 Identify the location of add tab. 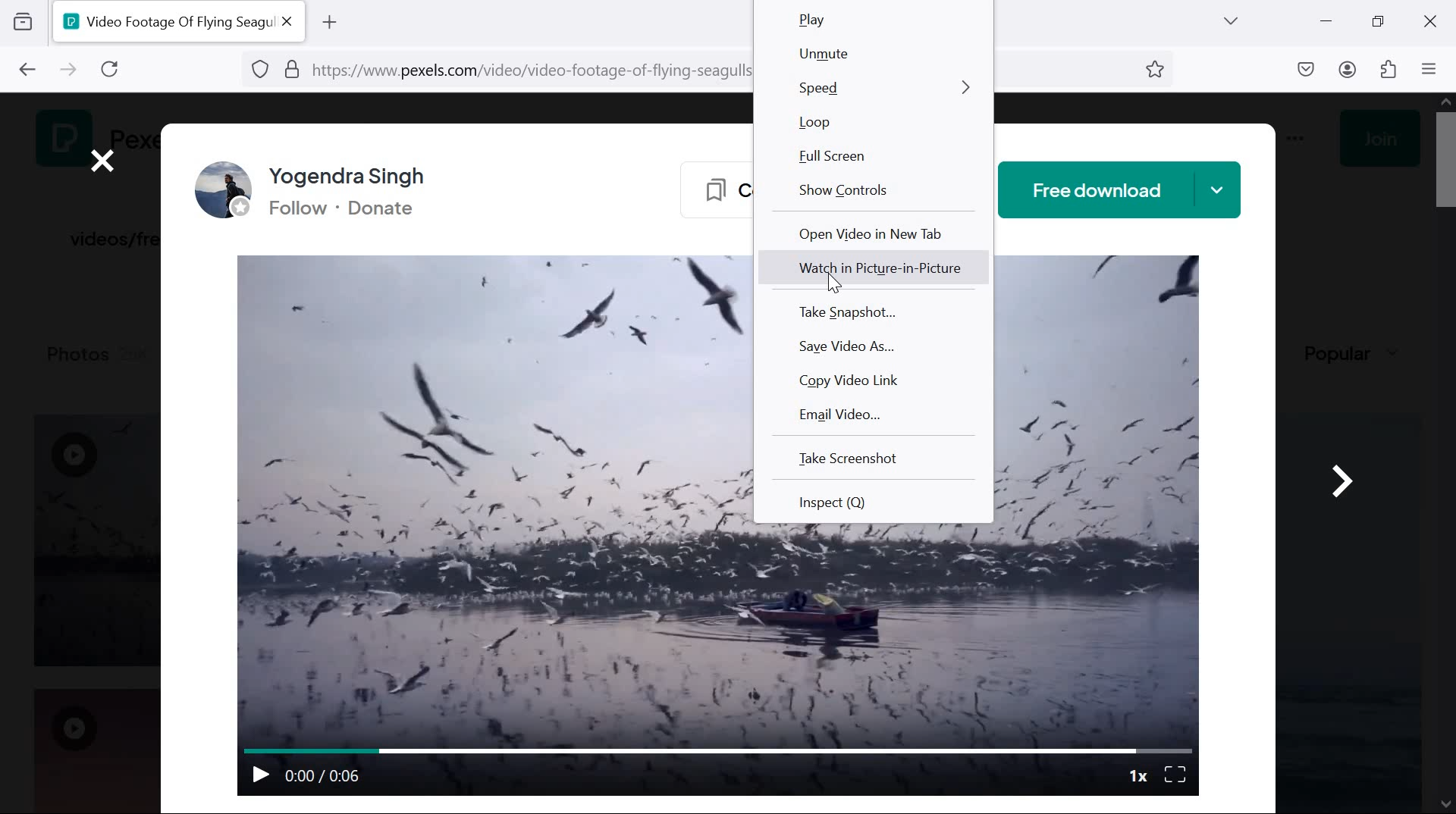
(329, 22).